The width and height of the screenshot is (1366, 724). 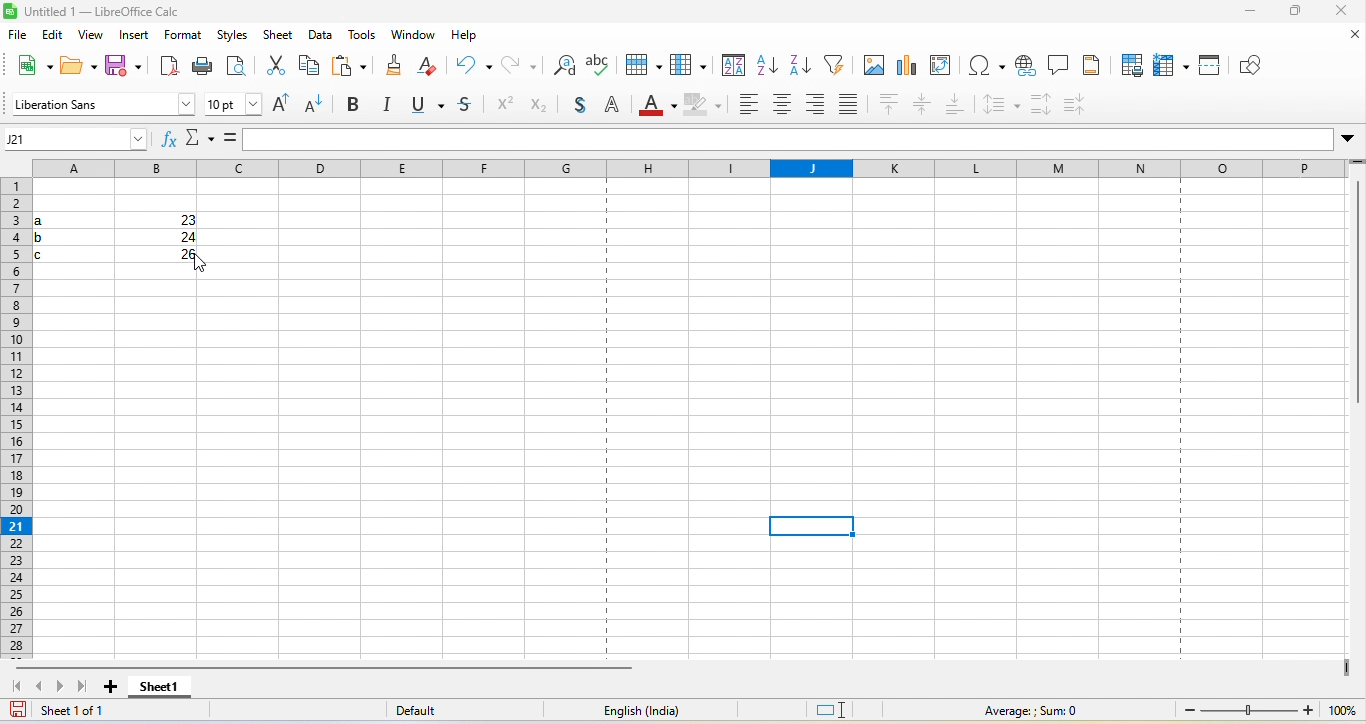 What do you see at coordinates (1129, 65) in the screenshot?
I see `print area` at bounding box center [1129, 65].